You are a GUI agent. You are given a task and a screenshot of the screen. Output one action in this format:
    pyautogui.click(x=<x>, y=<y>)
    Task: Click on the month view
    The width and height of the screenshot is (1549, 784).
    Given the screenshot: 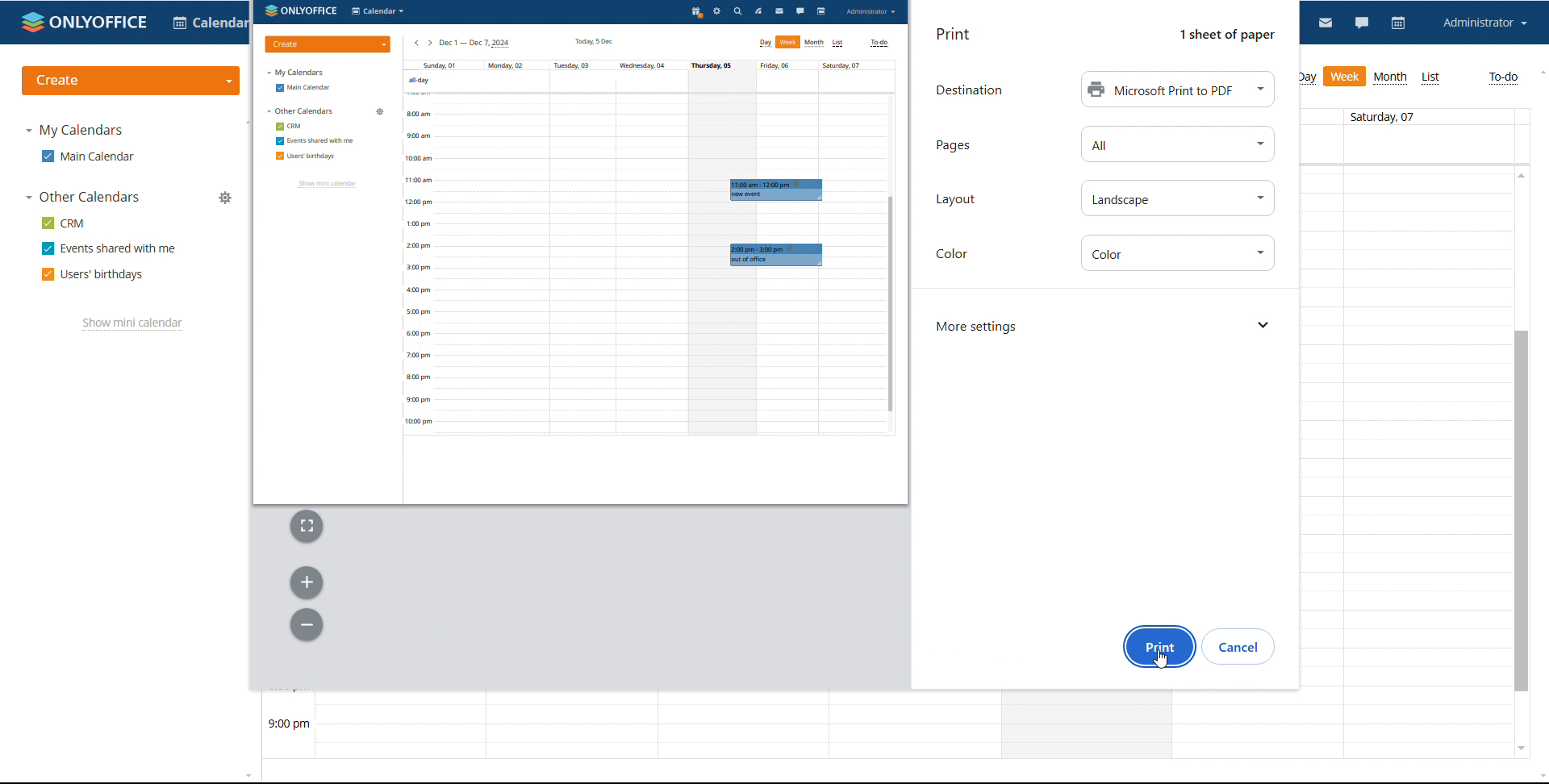 What is the action you would take?
    pyautogui.click(x=1392, y=77)
    